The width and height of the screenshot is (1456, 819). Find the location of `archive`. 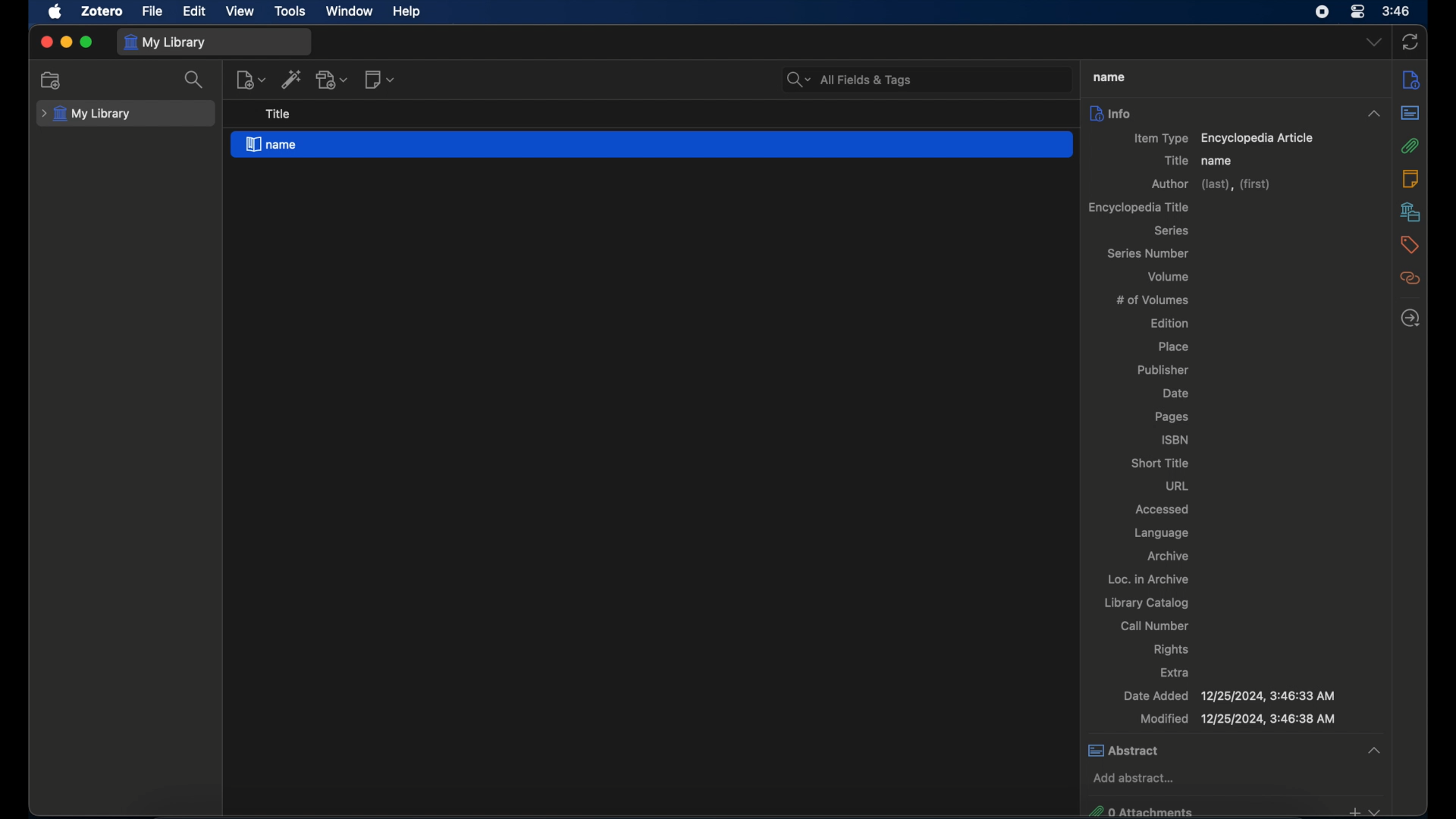

archive is located at coordinates (1168, 556).